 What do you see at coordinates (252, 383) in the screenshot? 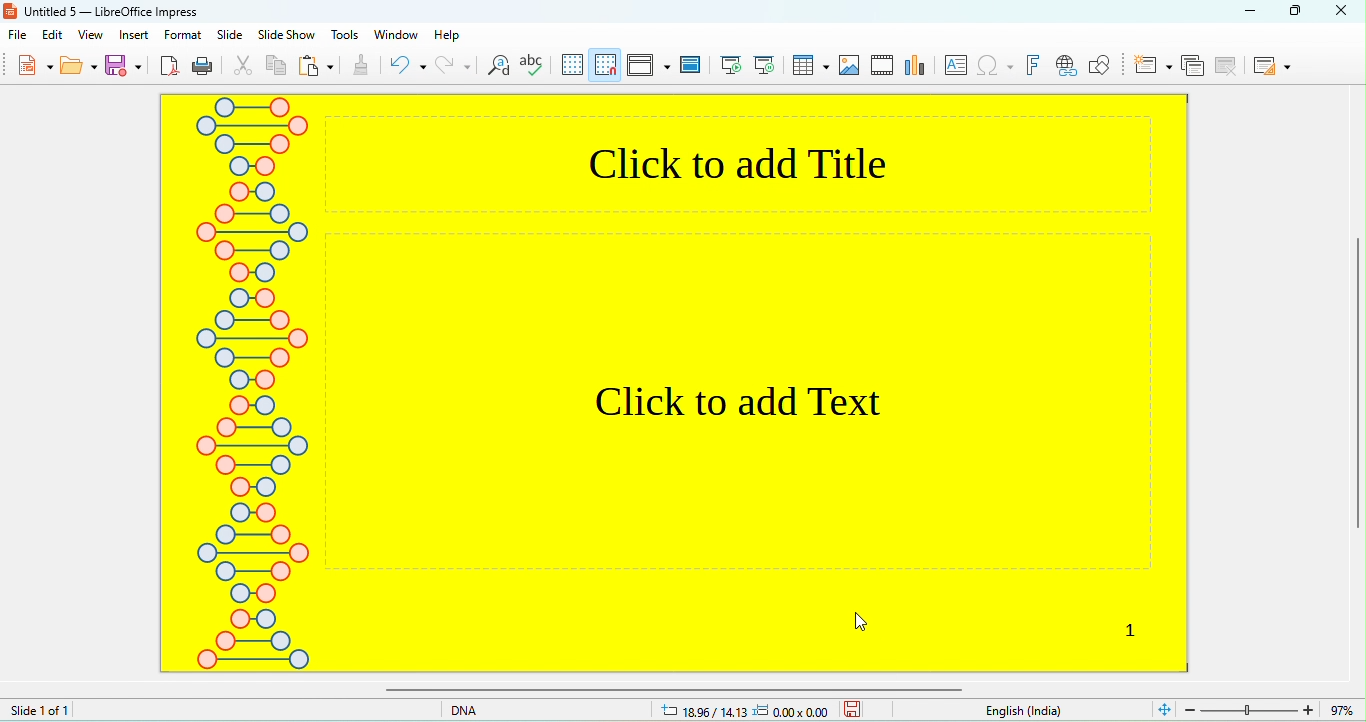
I see `DNA theme` at bounding box center [252, 383].